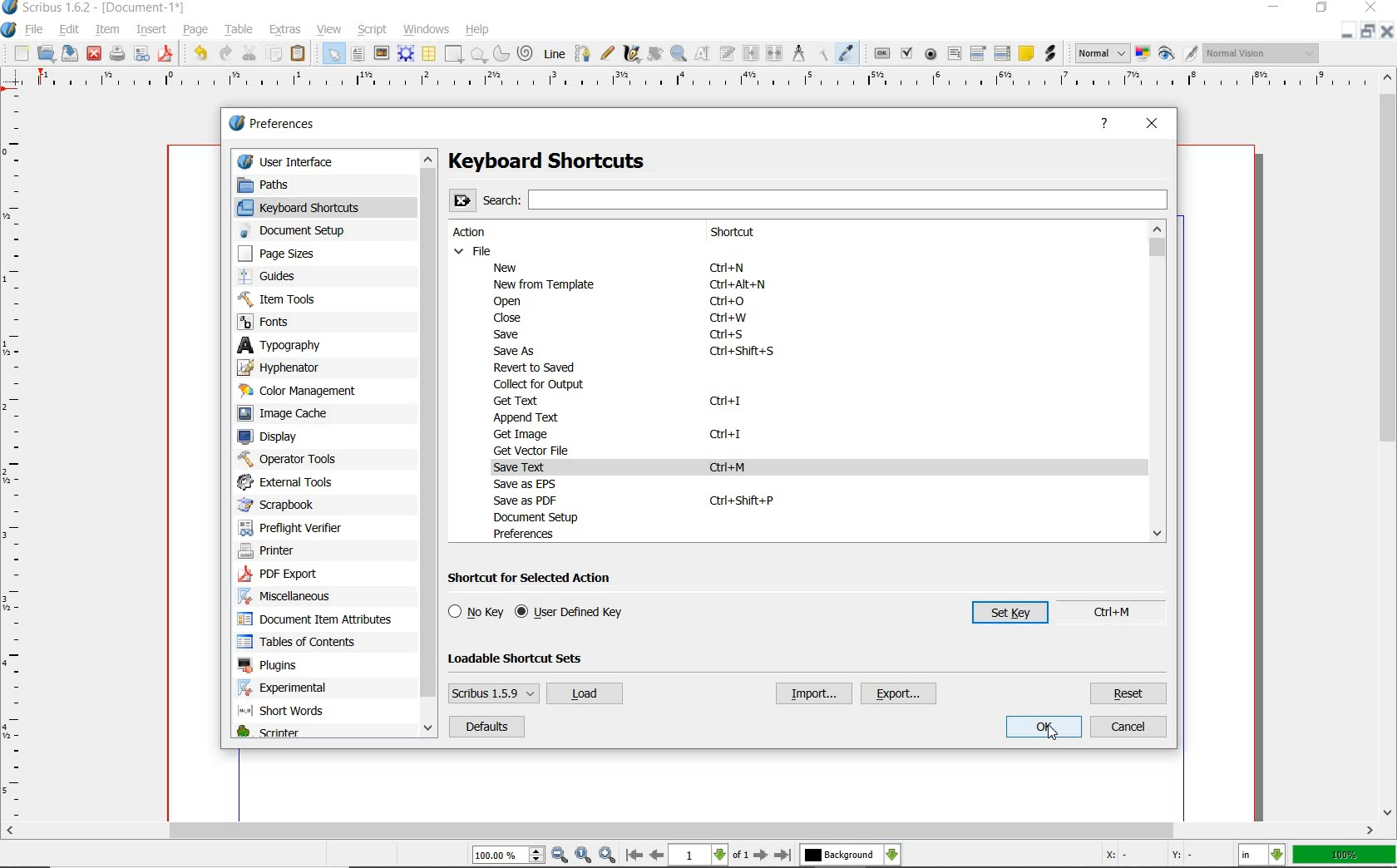 Image resolution: width=1397 pixels, height=868 pixels. I want to click on copy item properties, so click(824, 54).